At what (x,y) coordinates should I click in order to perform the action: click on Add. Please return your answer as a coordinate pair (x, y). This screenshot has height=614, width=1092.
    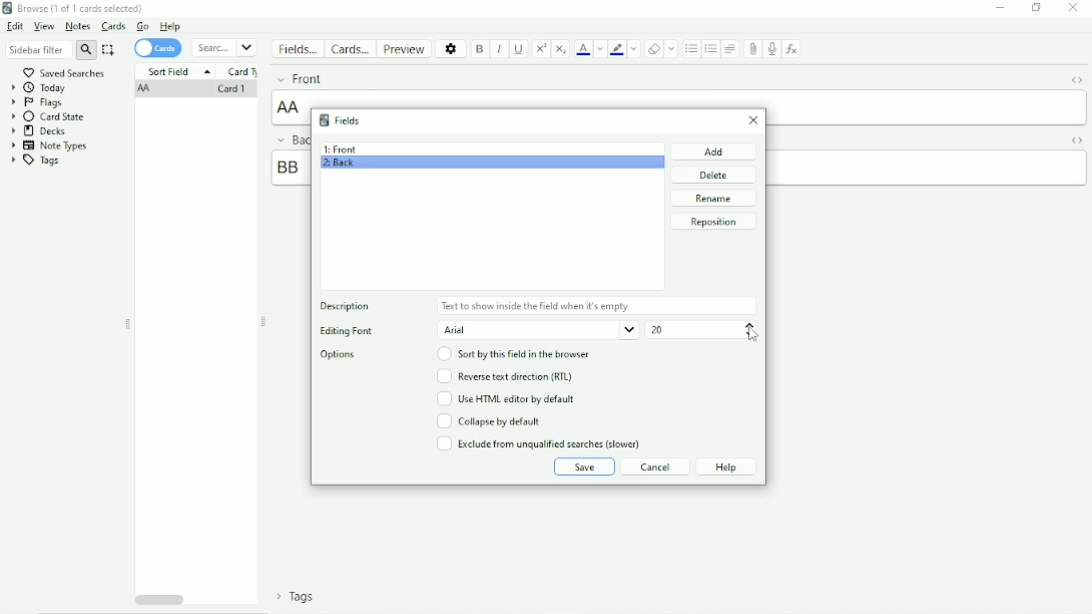
    Looking at the image, I should click on (715, 151).